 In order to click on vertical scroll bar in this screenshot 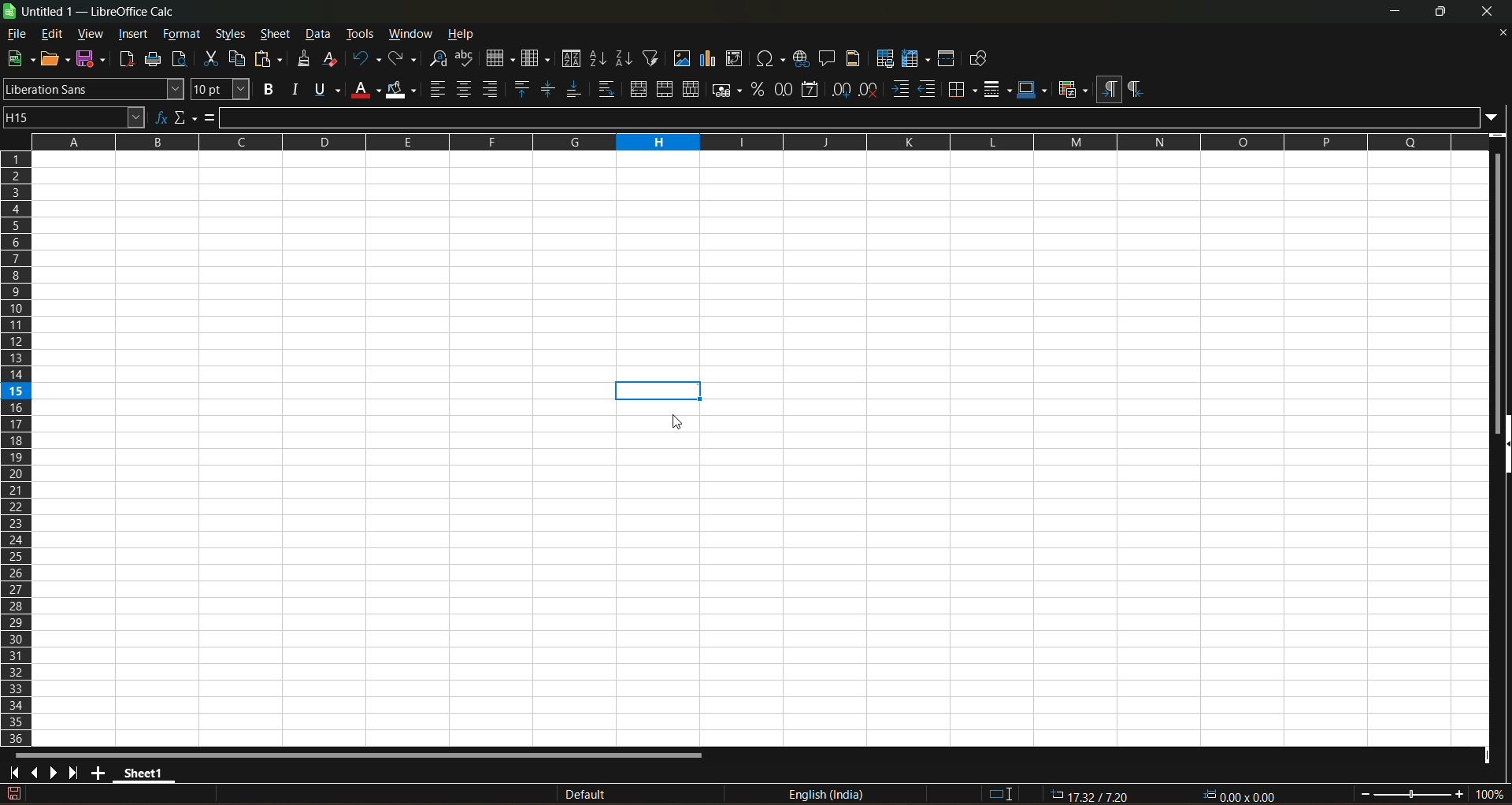, I will do `click(1495, 282)`.